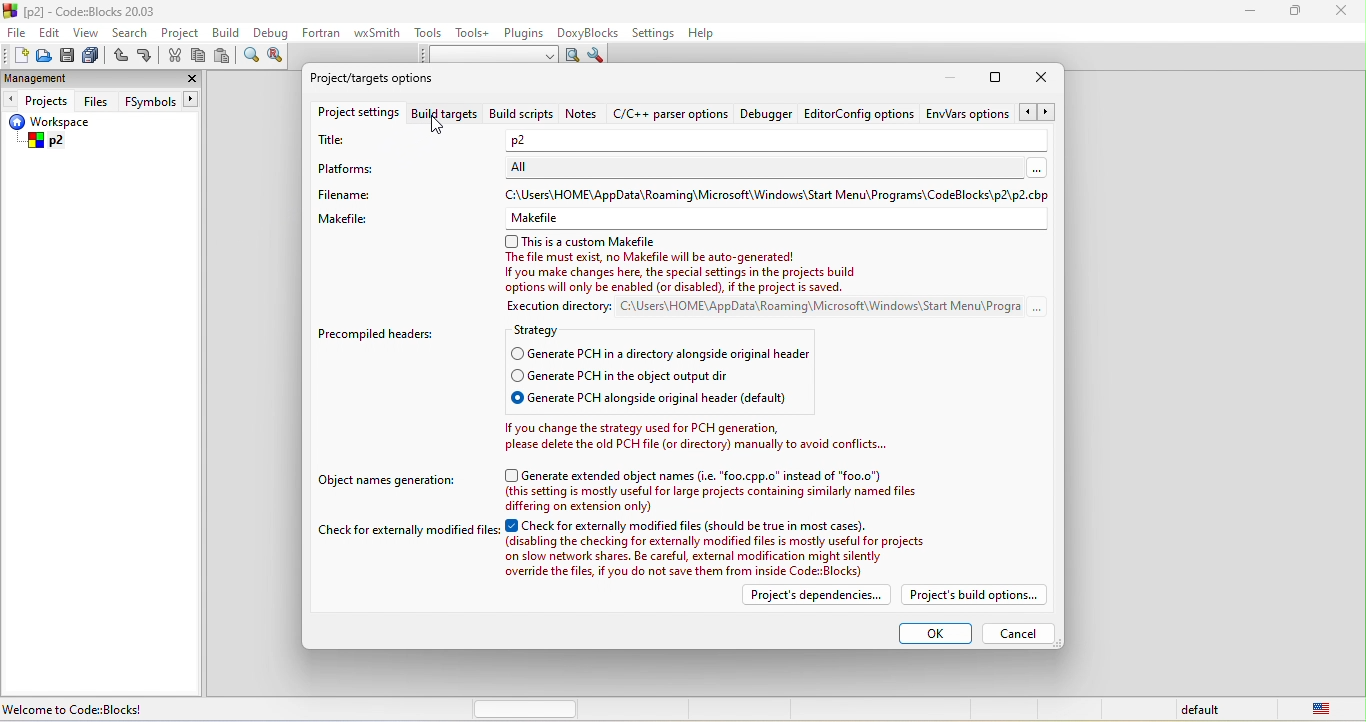 This screenshot has height=722, width=1366. I want to click on precompiled headers, so click(381, 333).